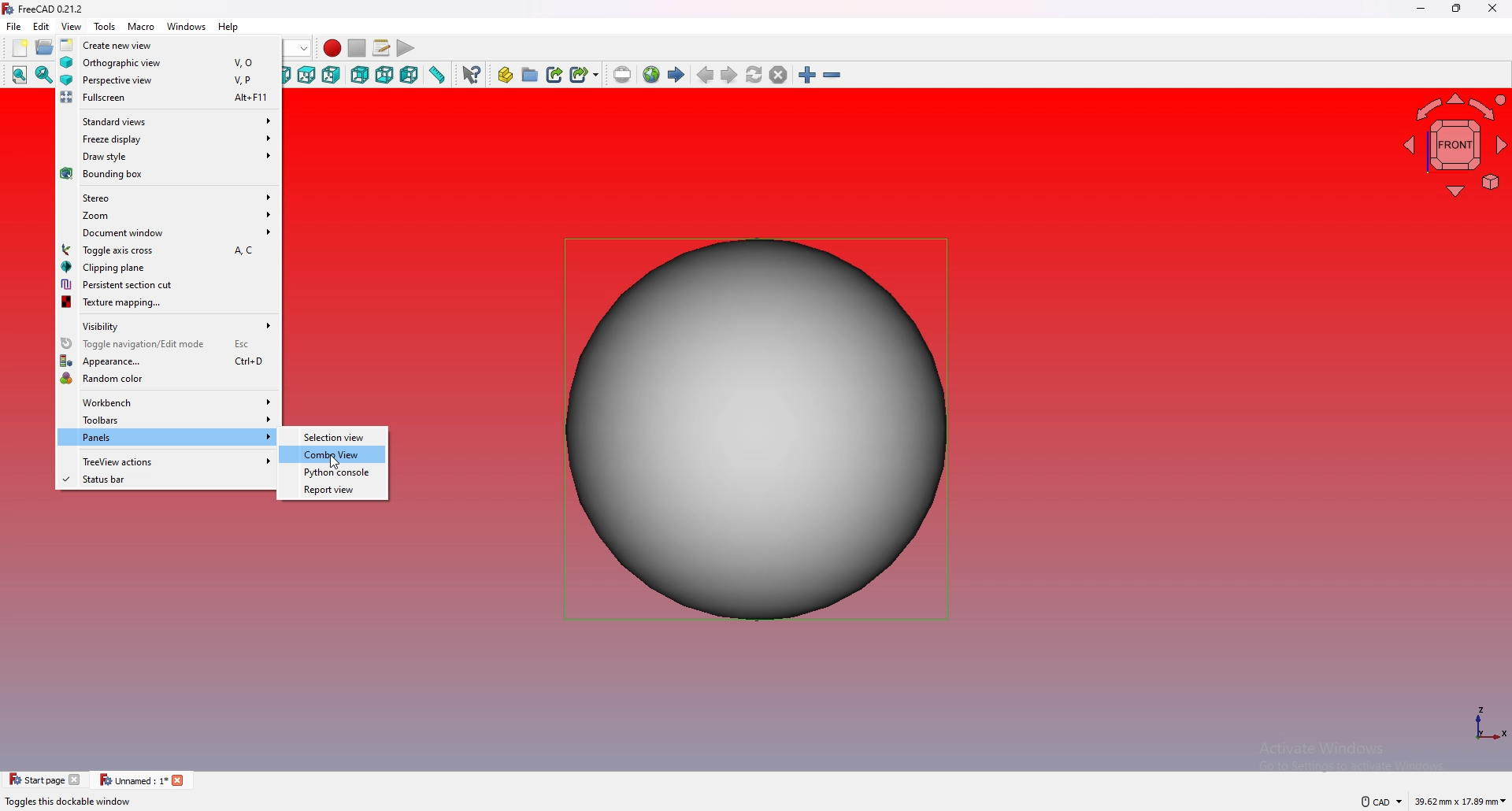 This screenshot has height=811, width=1512. What do you see at coordinates (359, 75) in the screenshot?
I see `rear` at bounding box center [359, 75].